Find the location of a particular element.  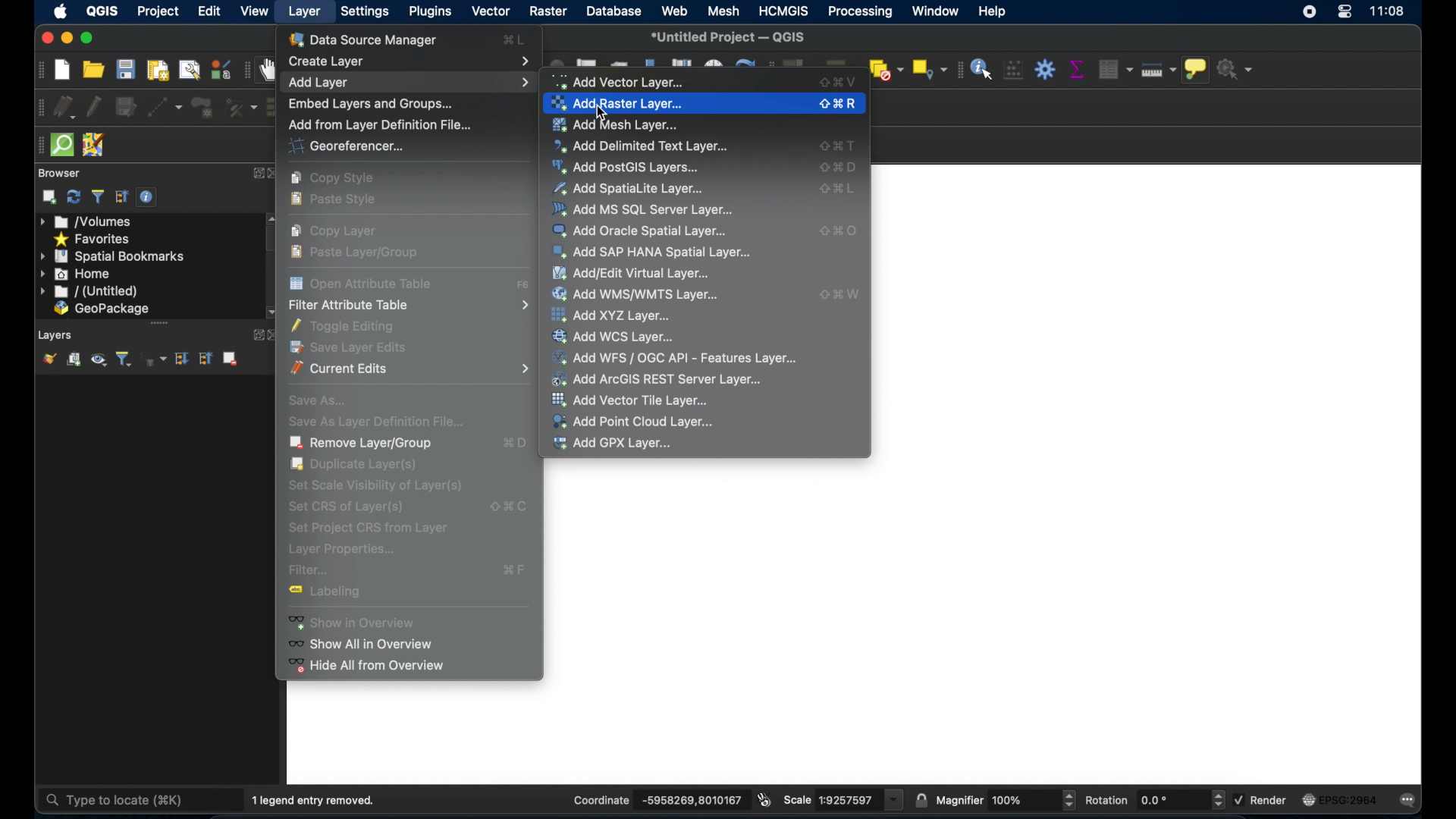

open attribute table is located at coordinates (524, 286).